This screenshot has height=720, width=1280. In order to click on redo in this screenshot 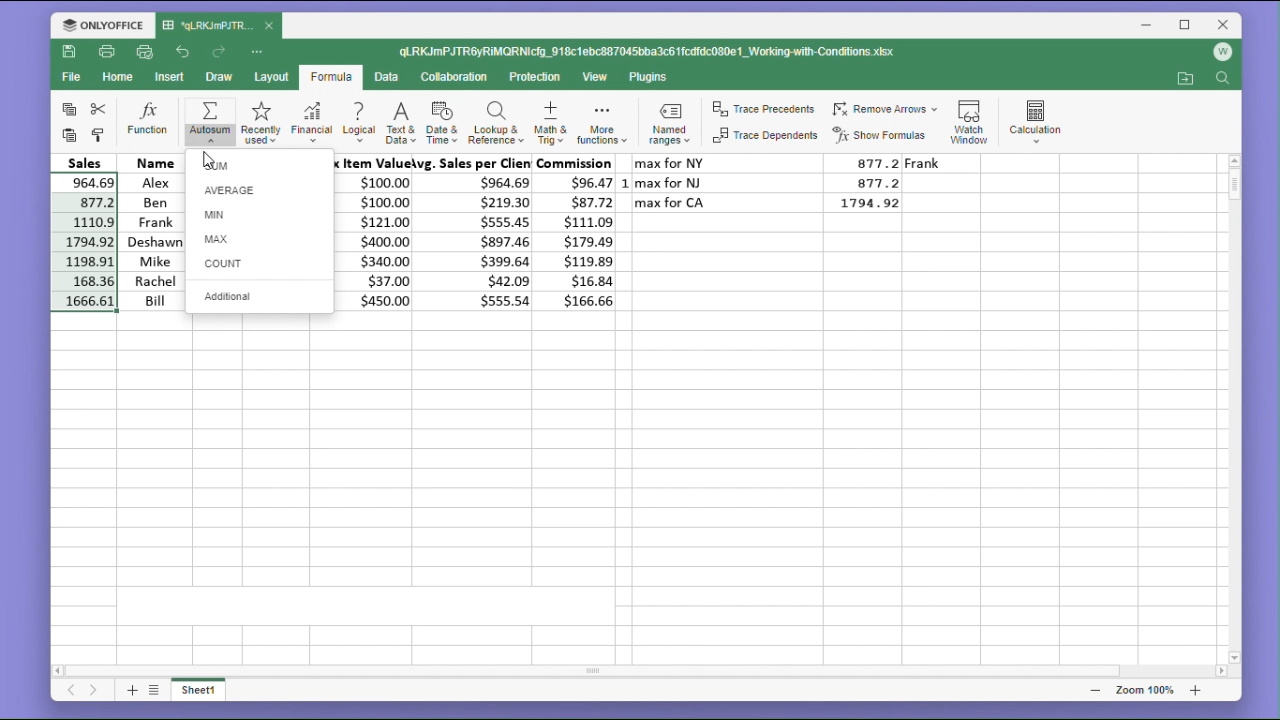, I will do `click(221, 52)`.